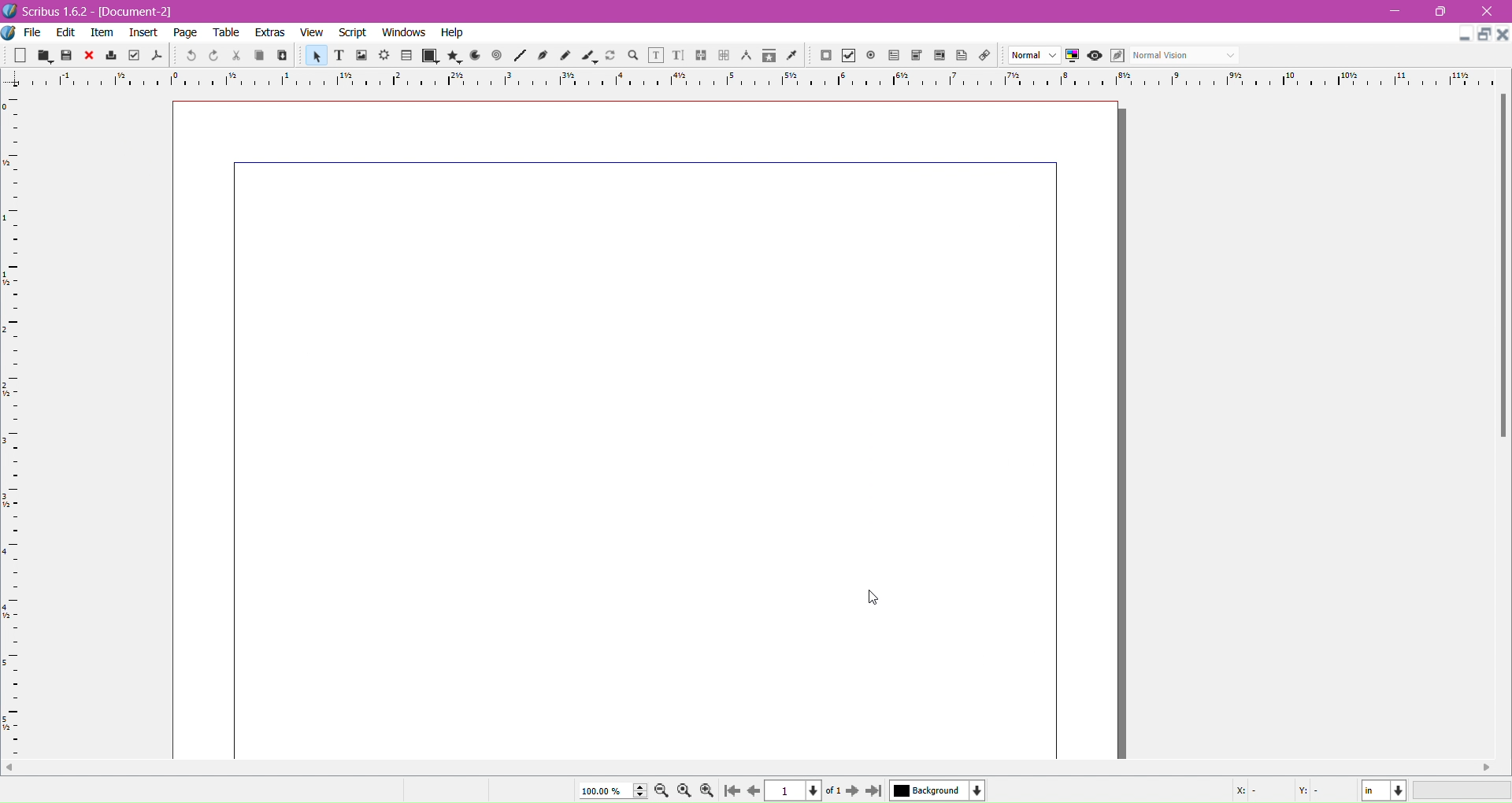 The width and height of the screenshot is (1512, 803). Describe the element at coordinates (340, 56) in the screenshot. I see `text size` at that location.